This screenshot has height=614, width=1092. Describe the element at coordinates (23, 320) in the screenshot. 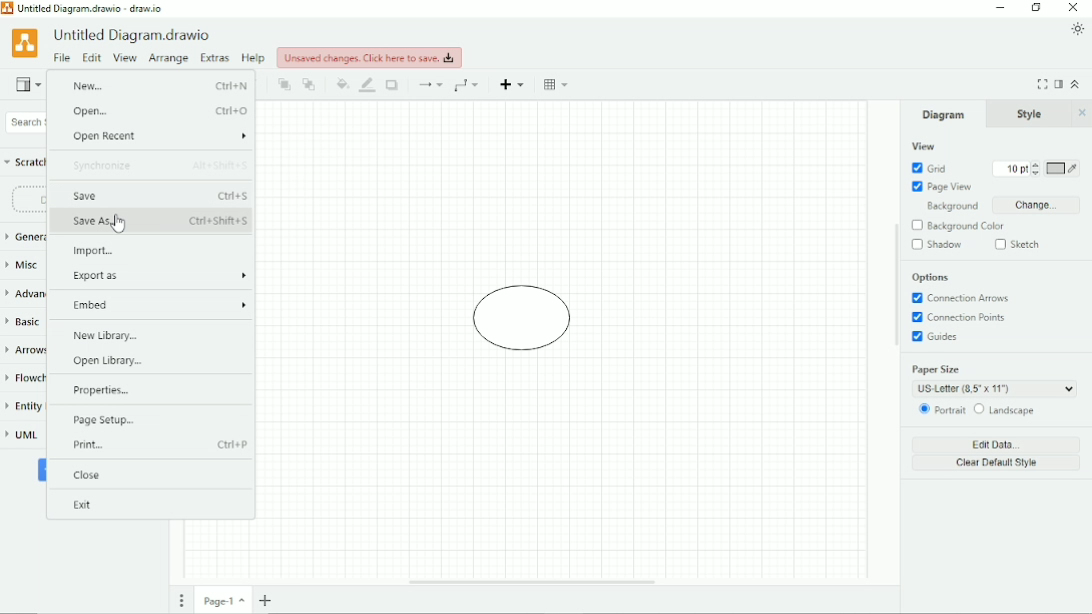

I see `Basic` at that location.